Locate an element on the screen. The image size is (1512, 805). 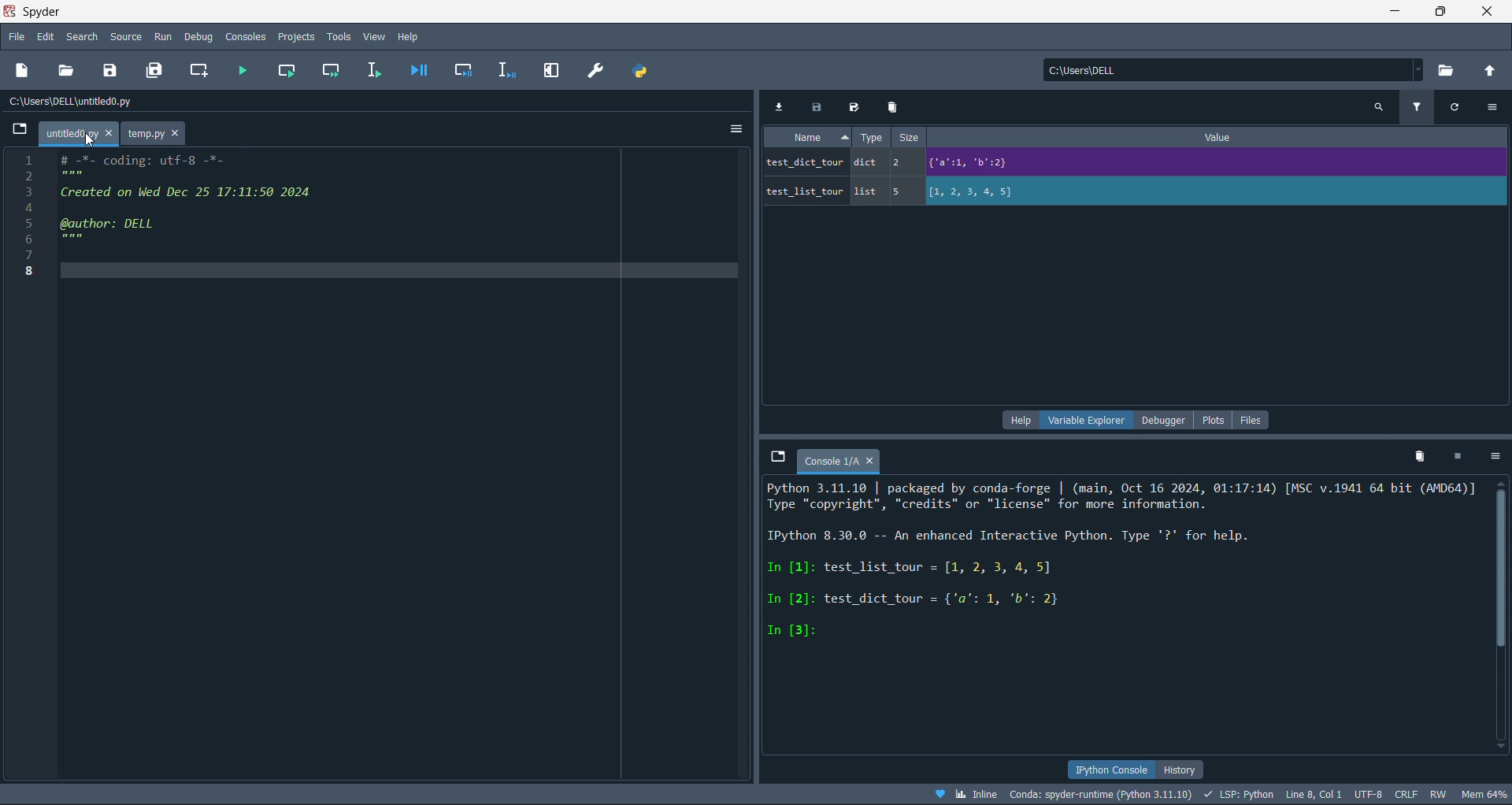
spyder logo is located at coordinates (13, 13).